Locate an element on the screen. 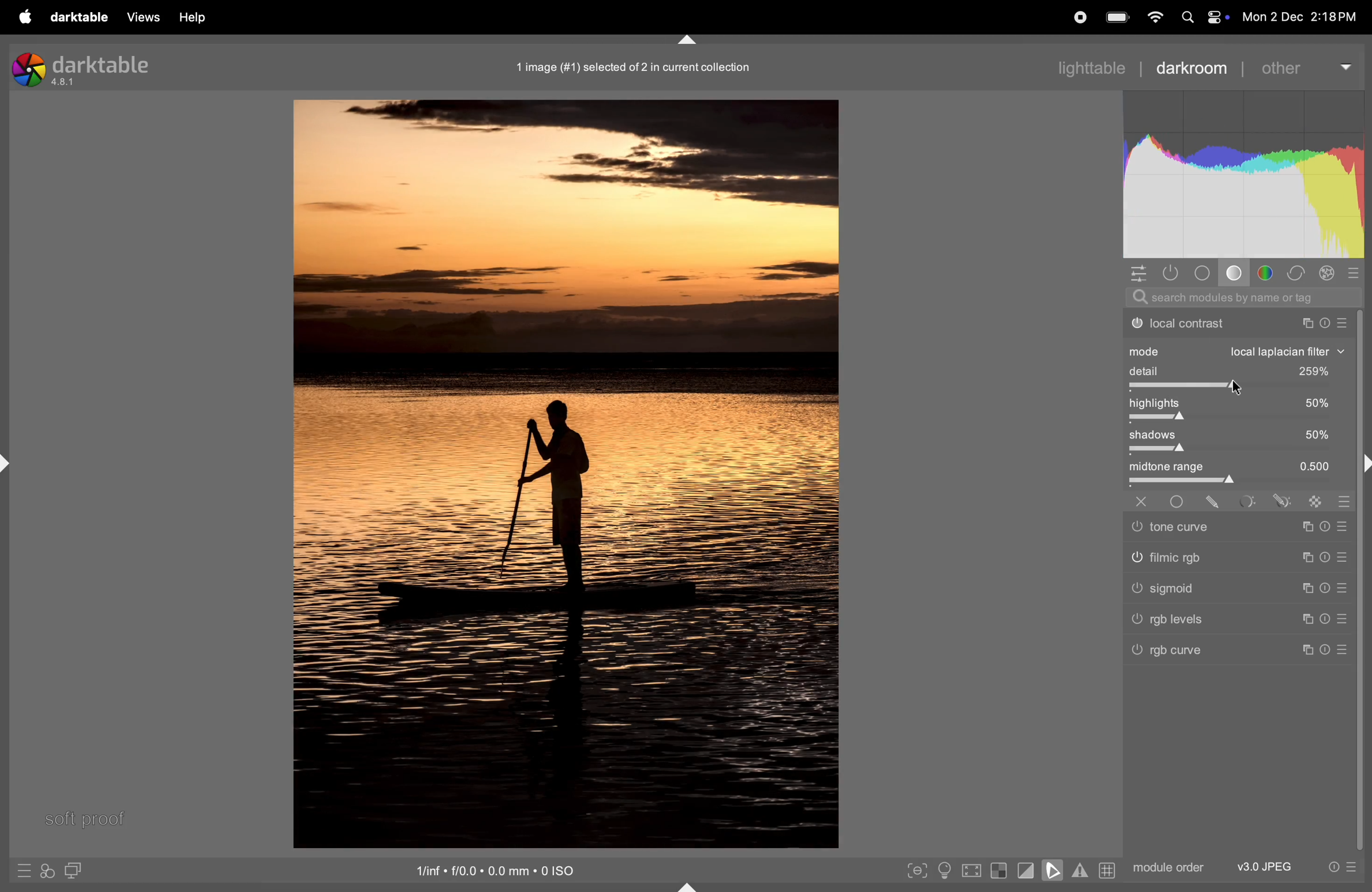 Image resolution: width=1372 pixels, height=892 pixels. cursor is located at coordinates (1239, 387).